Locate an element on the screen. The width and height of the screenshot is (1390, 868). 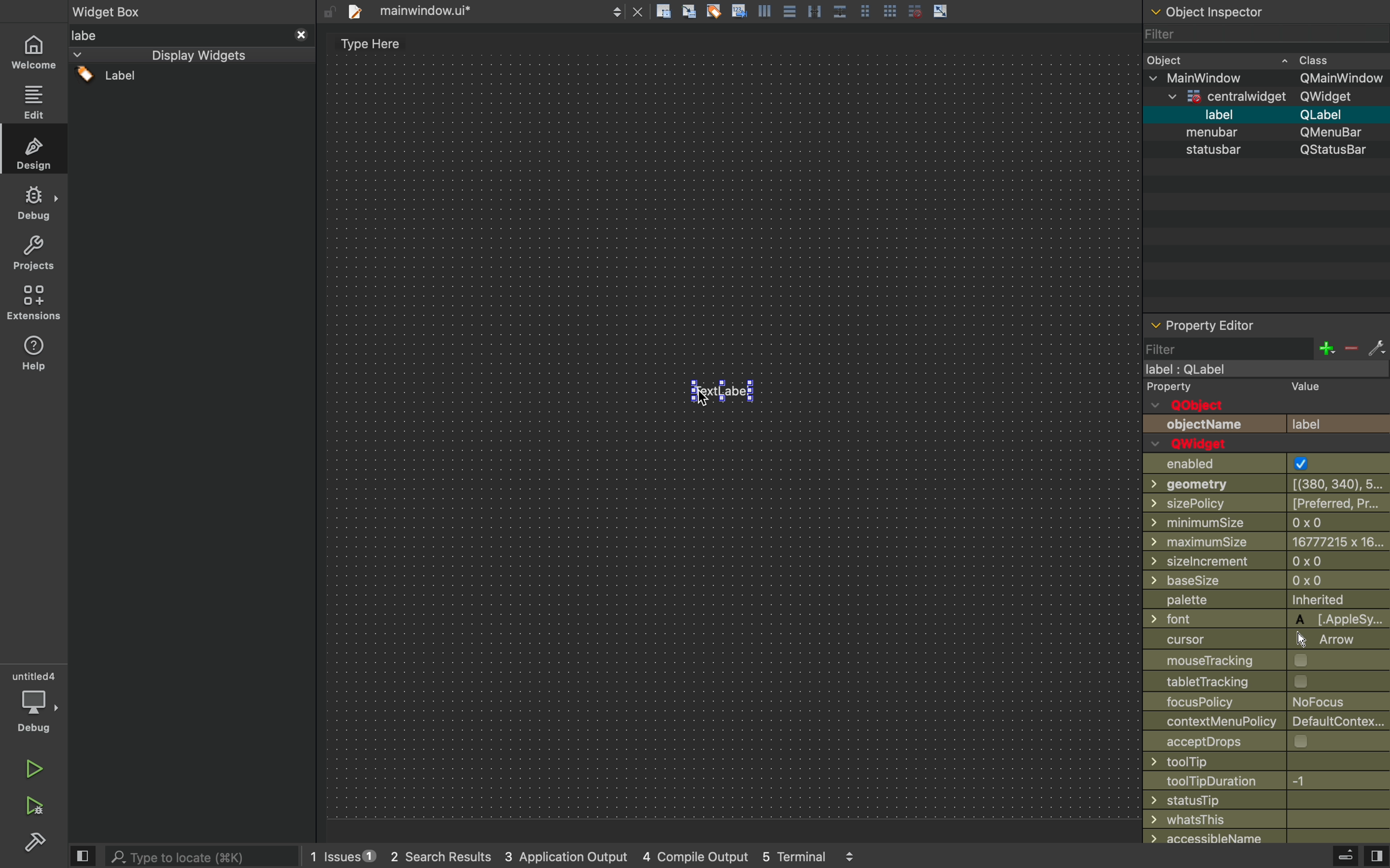
 is located at coordinates (733, 435).